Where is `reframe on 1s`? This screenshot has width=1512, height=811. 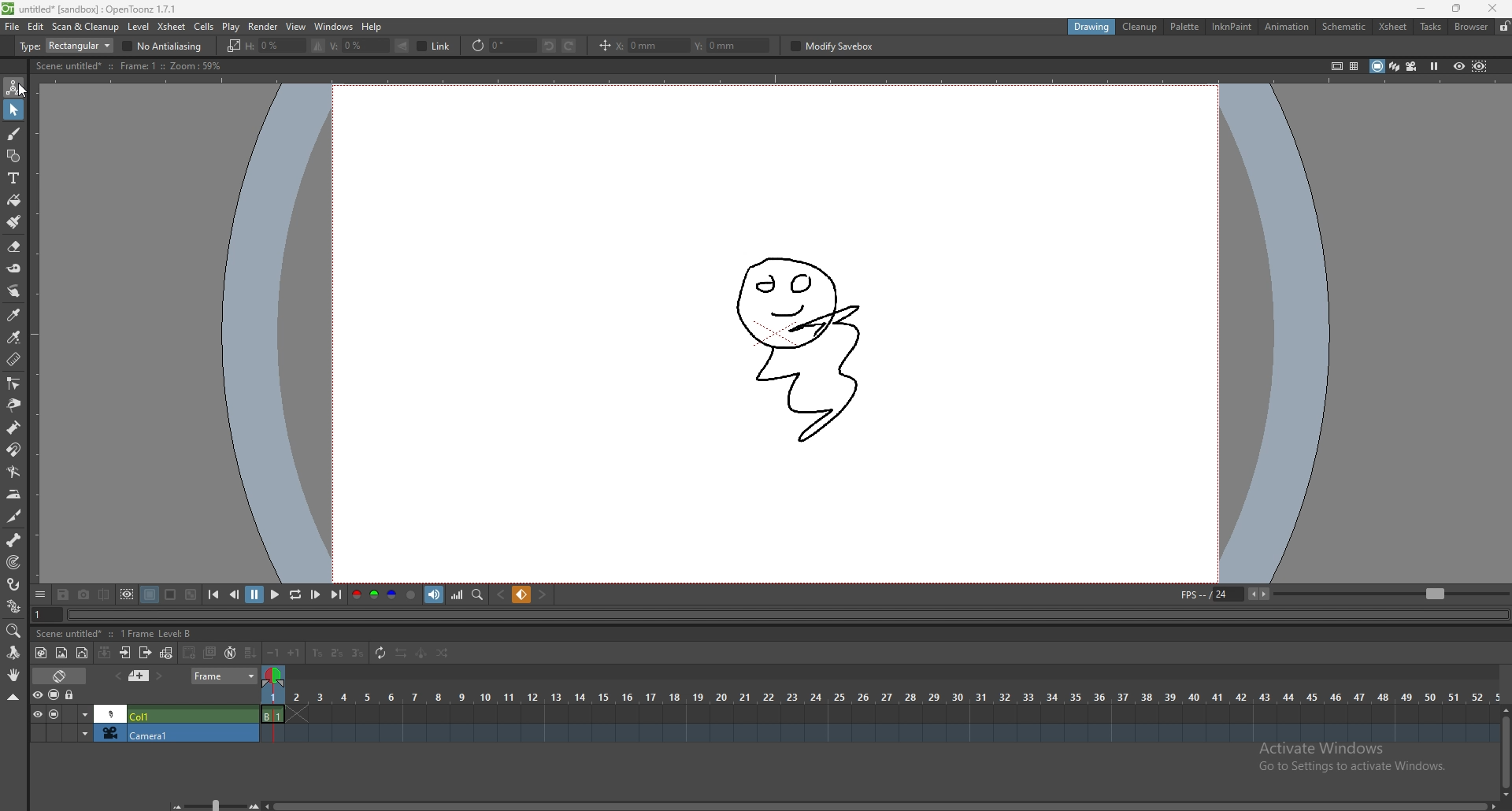
reframe on 1s is located at coordinates (317, 654).